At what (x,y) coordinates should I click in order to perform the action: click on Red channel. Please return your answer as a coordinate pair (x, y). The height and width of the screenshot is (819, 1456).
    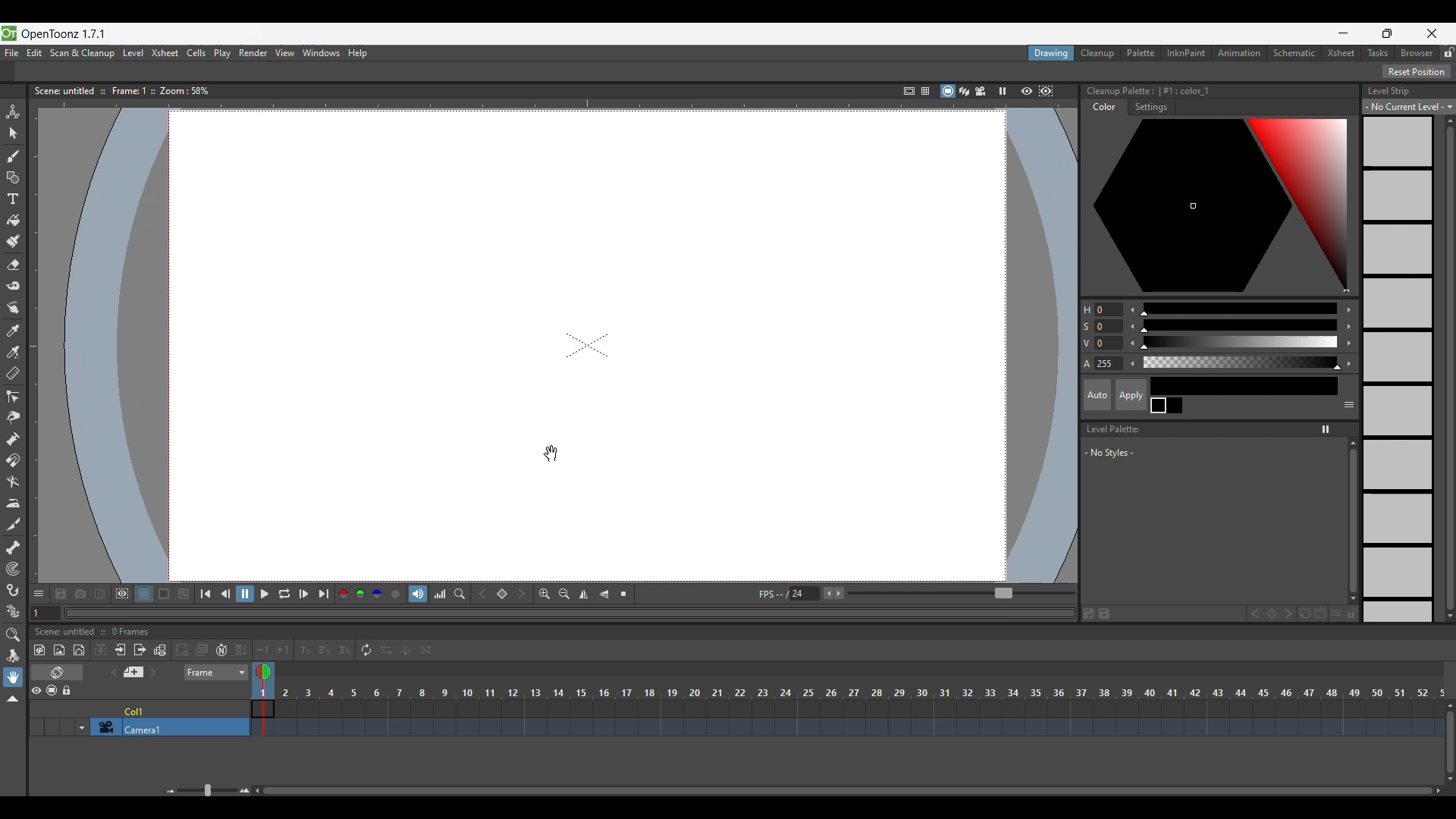
    Looking at the image, I should click on (344, 591).